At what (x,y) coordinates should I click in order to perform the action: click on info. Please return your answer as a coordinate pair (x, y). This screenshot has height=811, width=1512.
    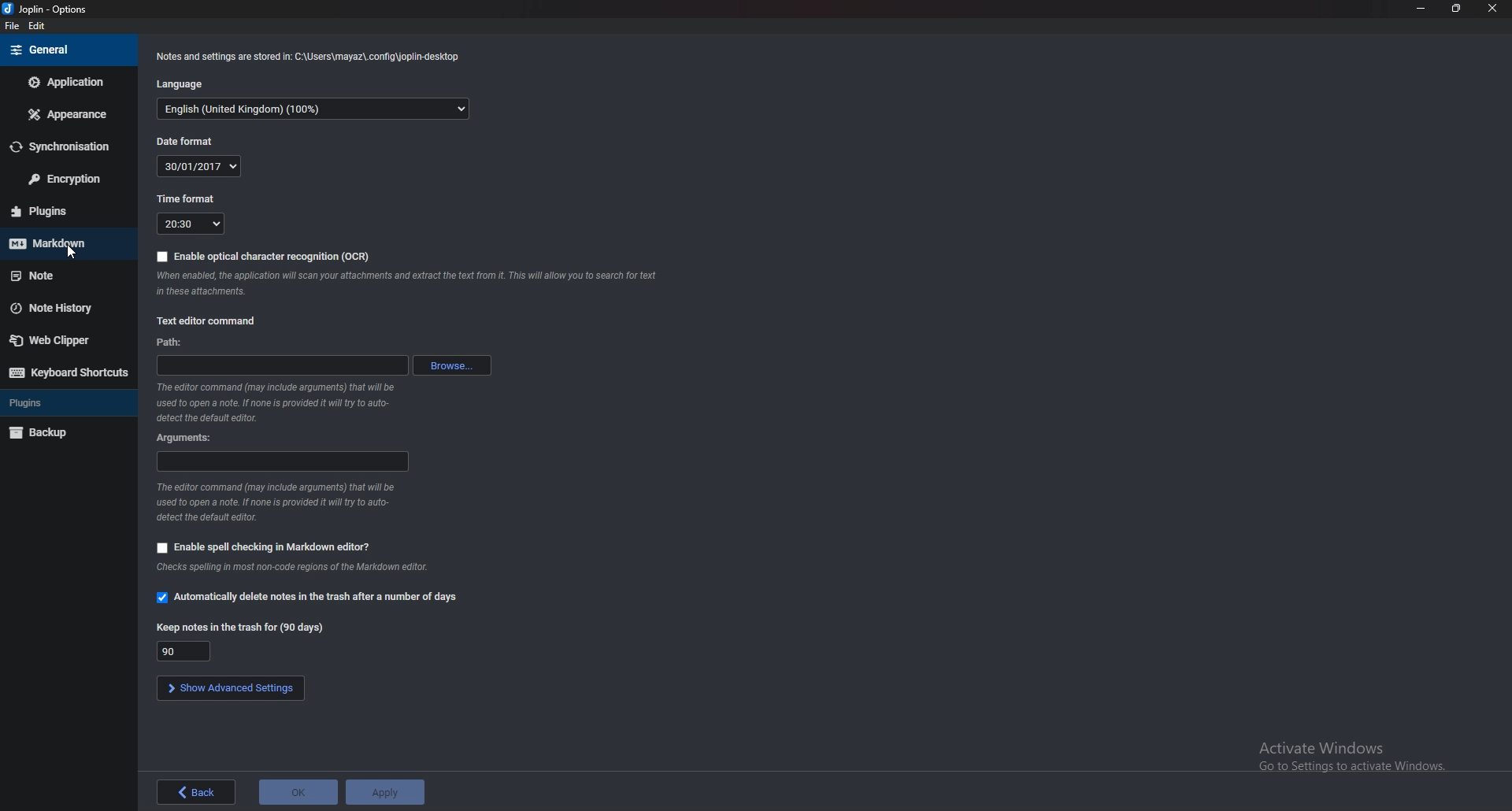
    Looking at the image, I should click on (274, 402).